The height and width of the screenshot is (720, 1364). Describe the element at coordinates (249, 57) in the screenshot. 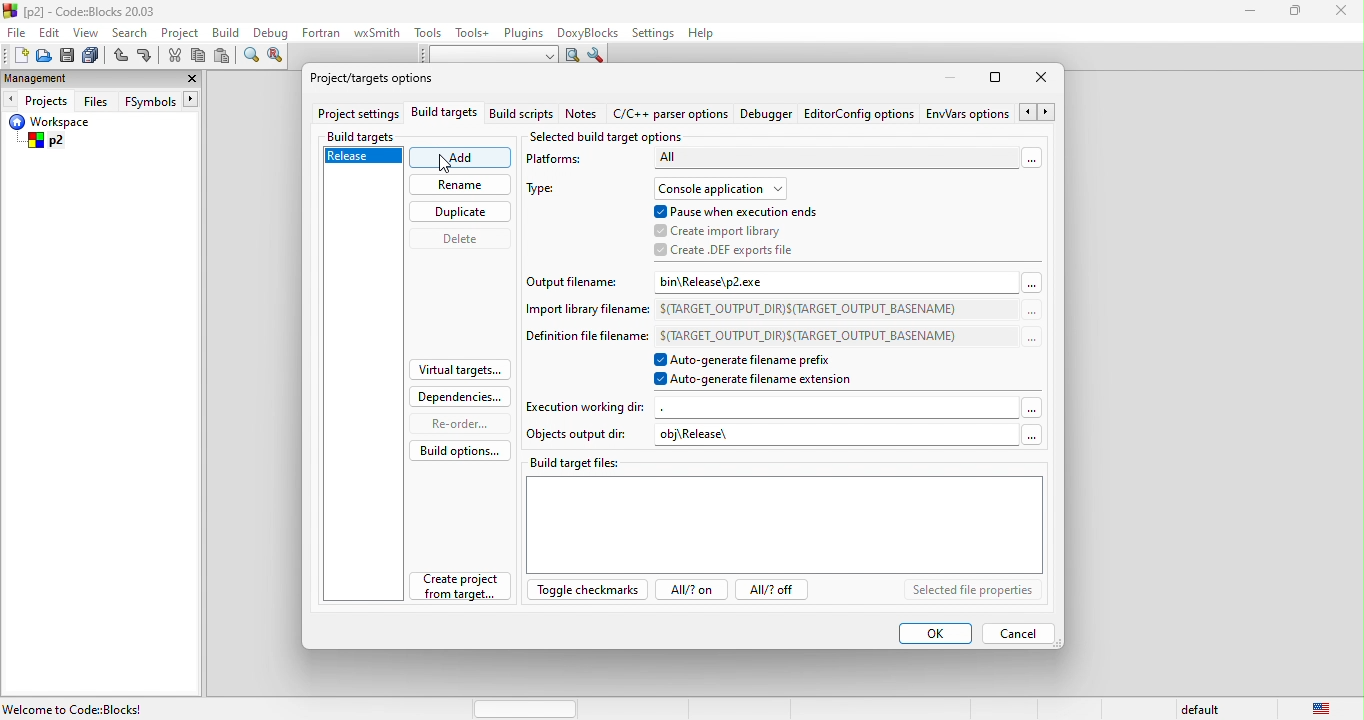

I see `find ` at that location.